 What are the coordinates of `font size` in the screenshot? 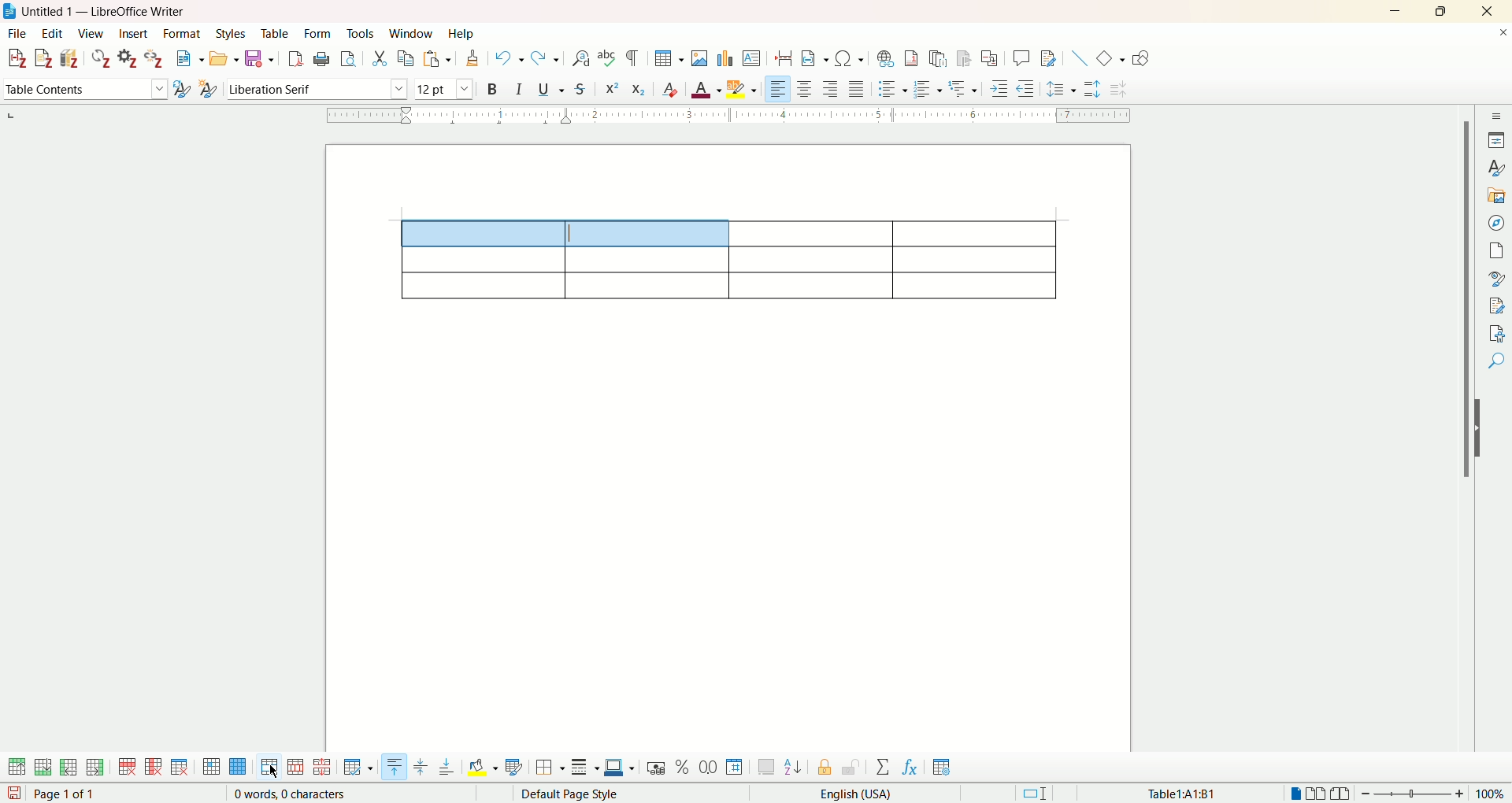 It's located at (443, 91).